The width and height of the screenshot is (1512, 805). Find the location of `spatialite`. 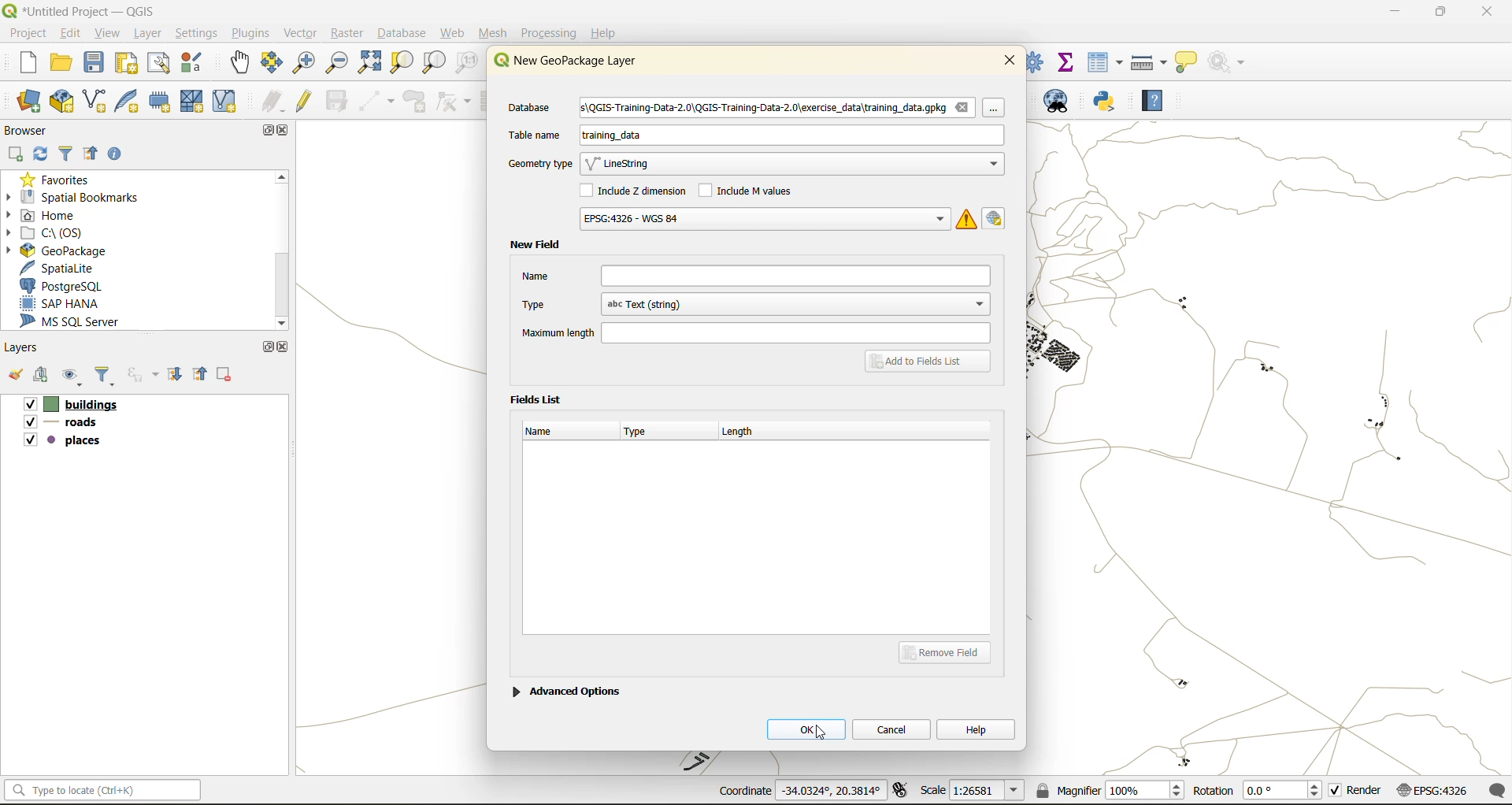

spatialite is located at coordinates (66, 268).